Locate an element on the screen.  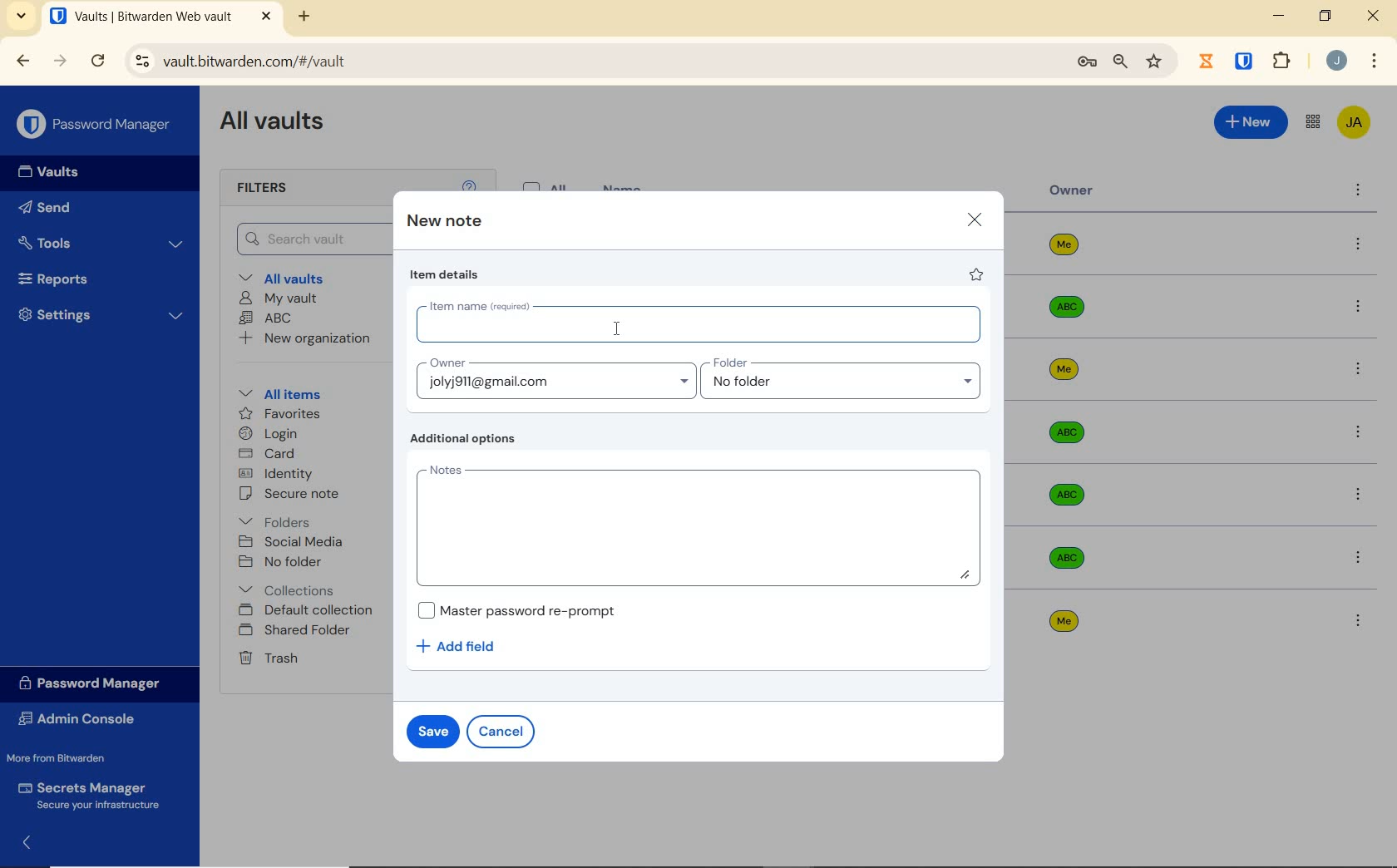
Account is located at coordinates (1337, 62).